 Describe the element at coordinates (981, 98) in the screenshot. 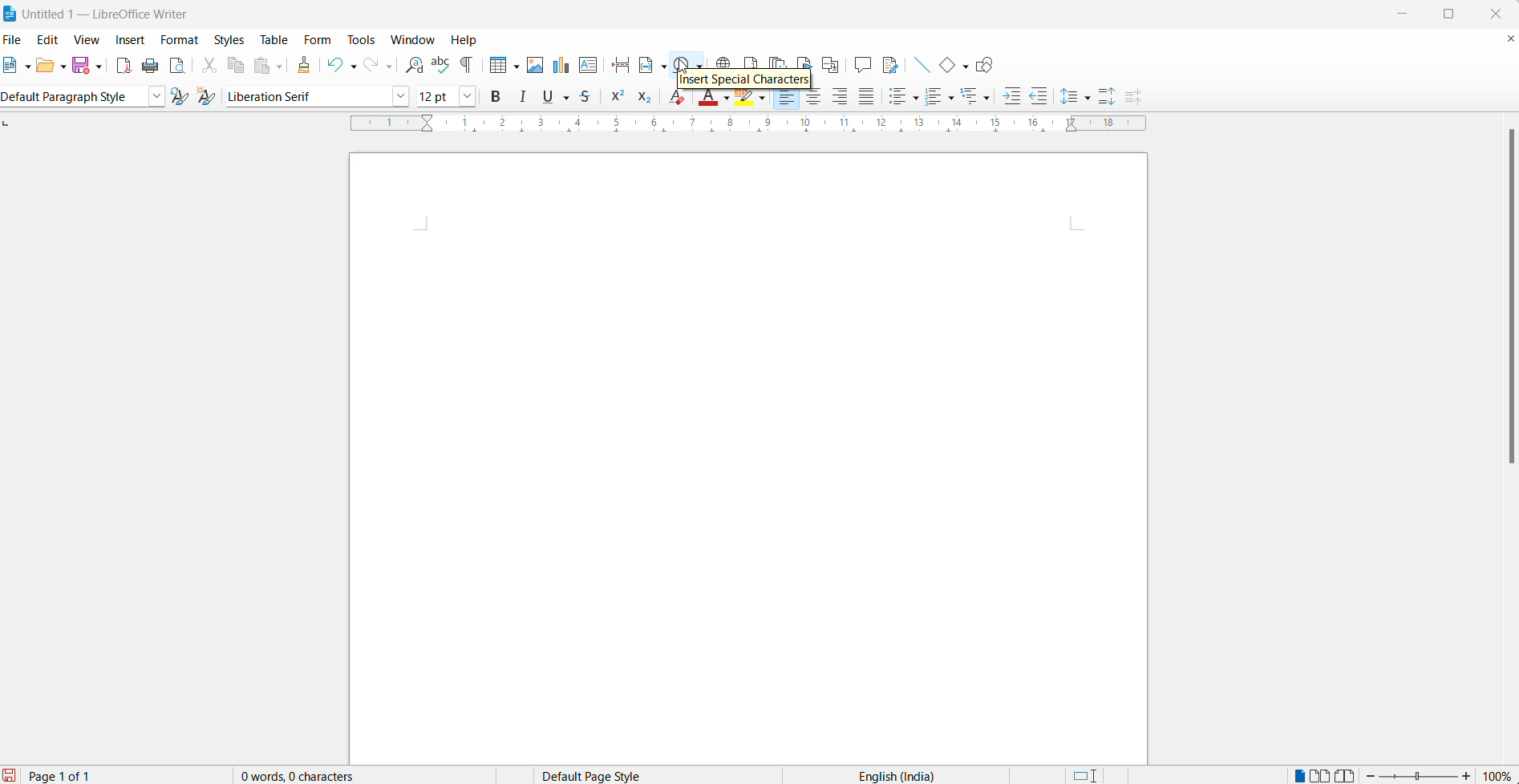

I see `select outline formatting` at that location.